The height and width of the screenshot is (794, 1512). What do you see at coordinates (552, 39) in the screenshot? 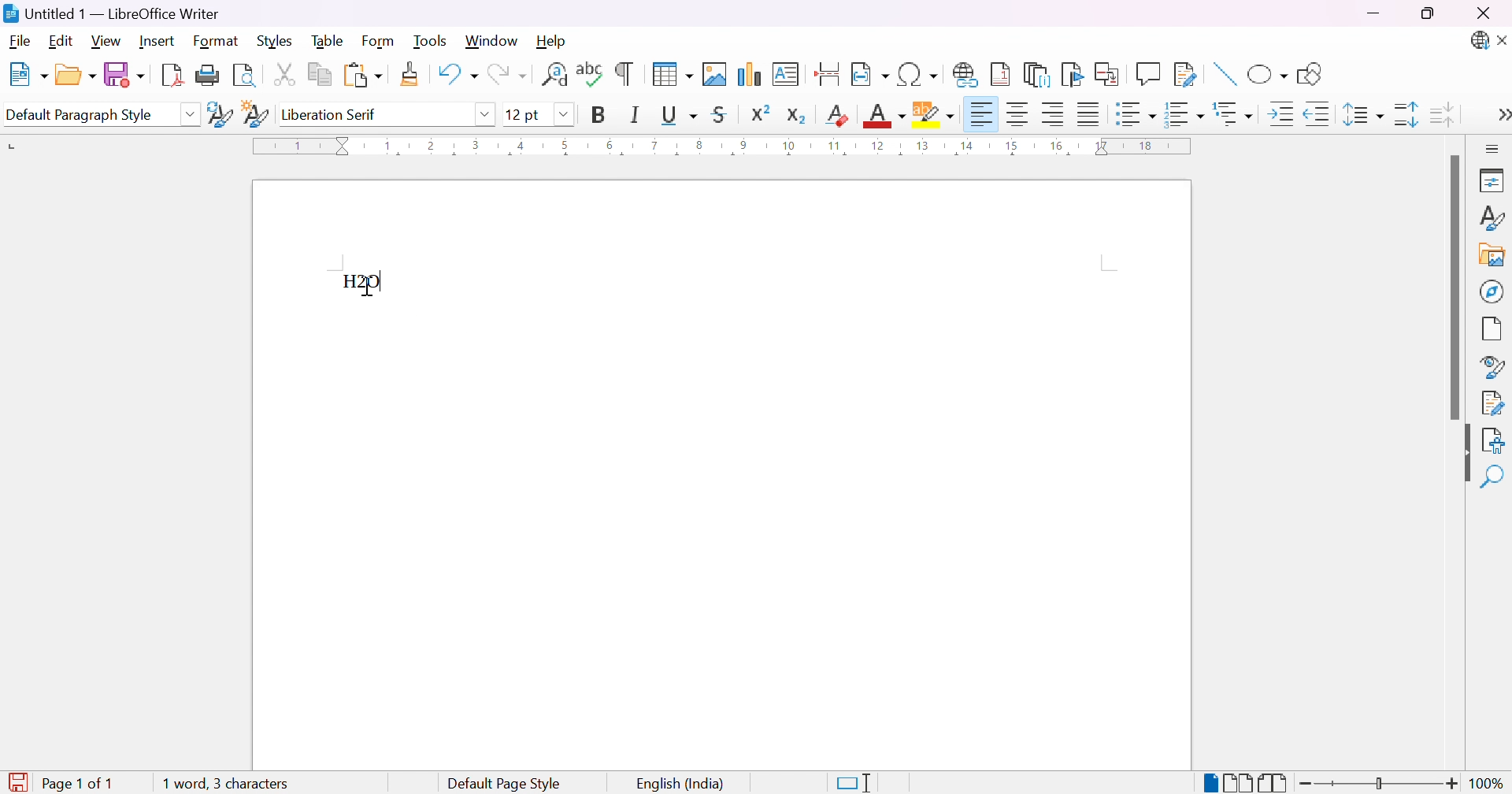
I see `Help` at bounding box center [552, 39].